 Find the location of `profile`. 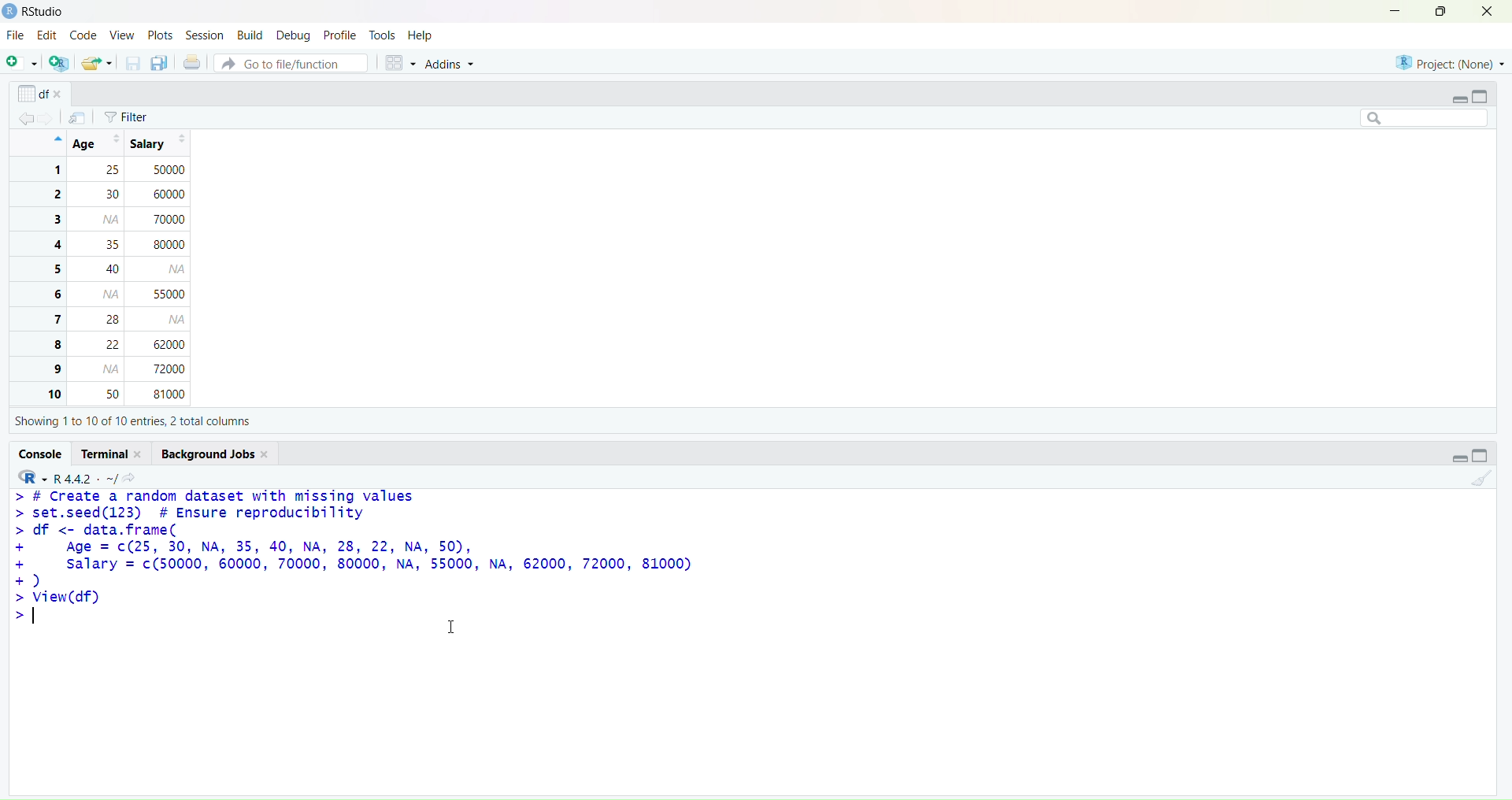

profile is located at coordinates (339, 35).